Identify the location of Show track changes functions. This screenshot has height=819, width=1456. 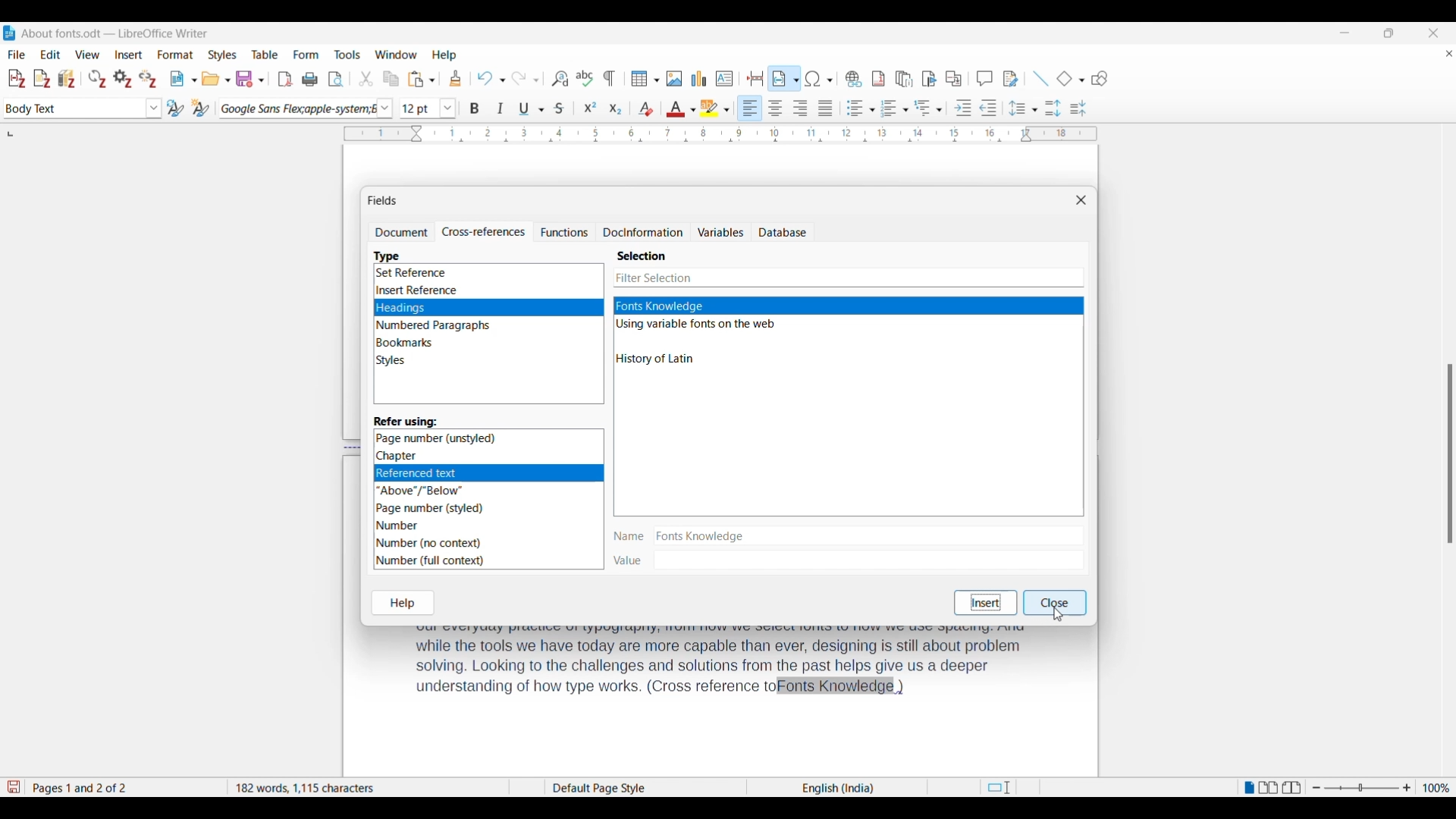
(1010, 79).